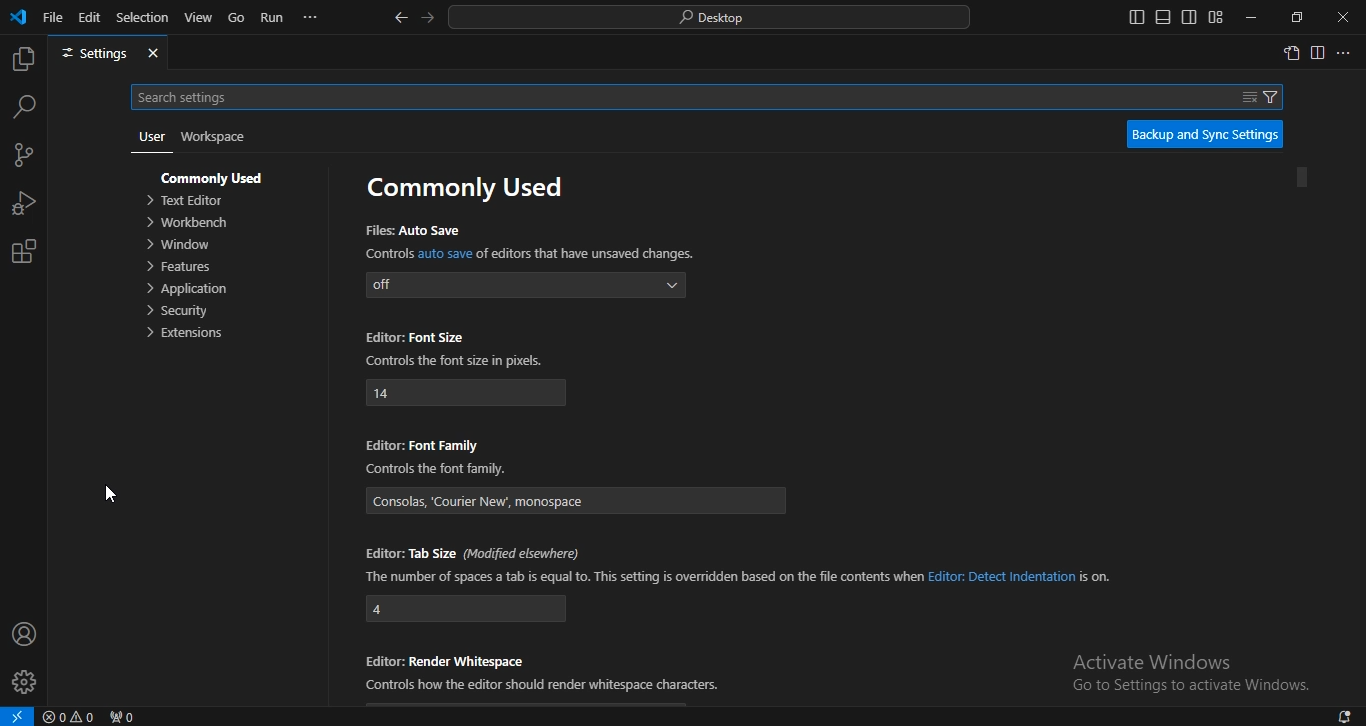 Image resolution: width=1366 pixels, height=726 pixels. I want to click on minimize, so click(1253, 16).